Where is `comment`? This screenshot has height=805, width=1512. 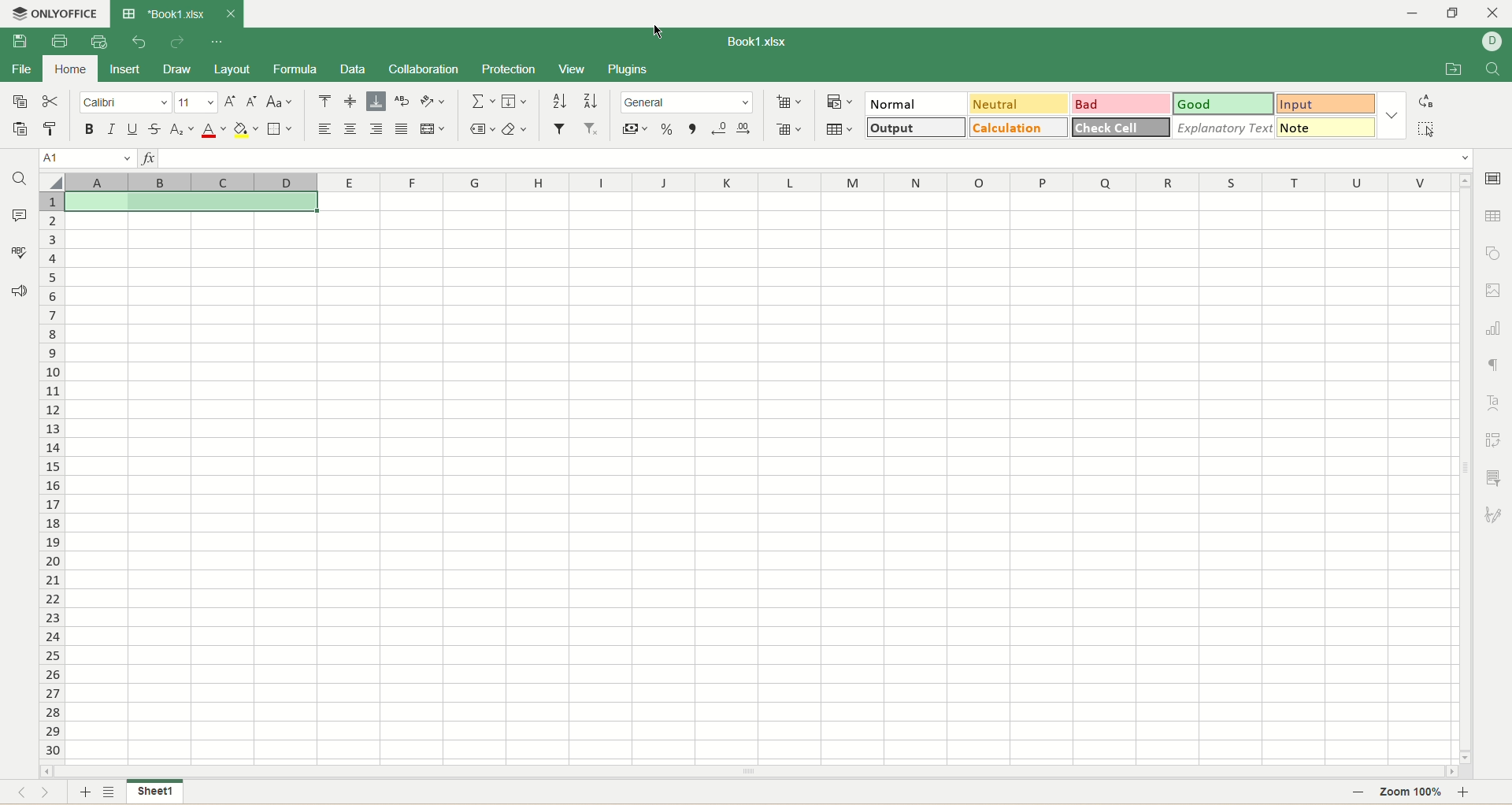
comment is located at coordinates (21, 217).